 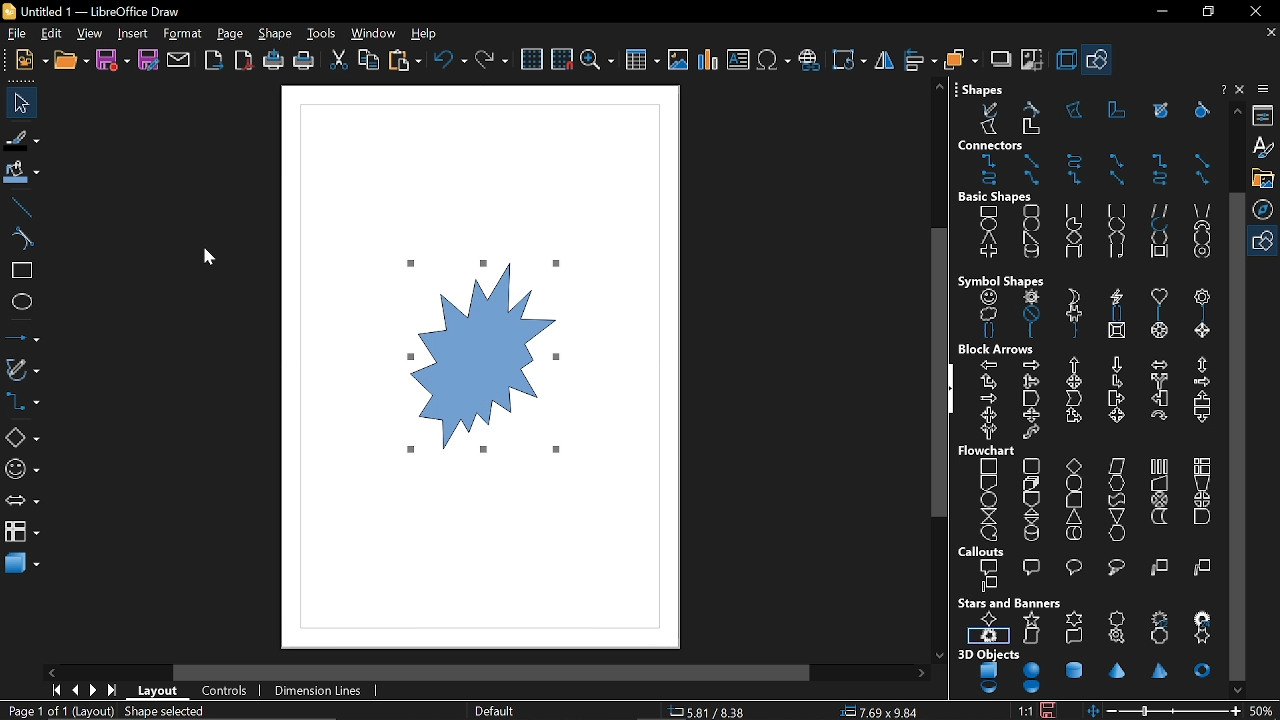 What do you see at coordinates (1088, 621) in the screenshot?
I see `star and boxes` at bounding box center [1088, 621].